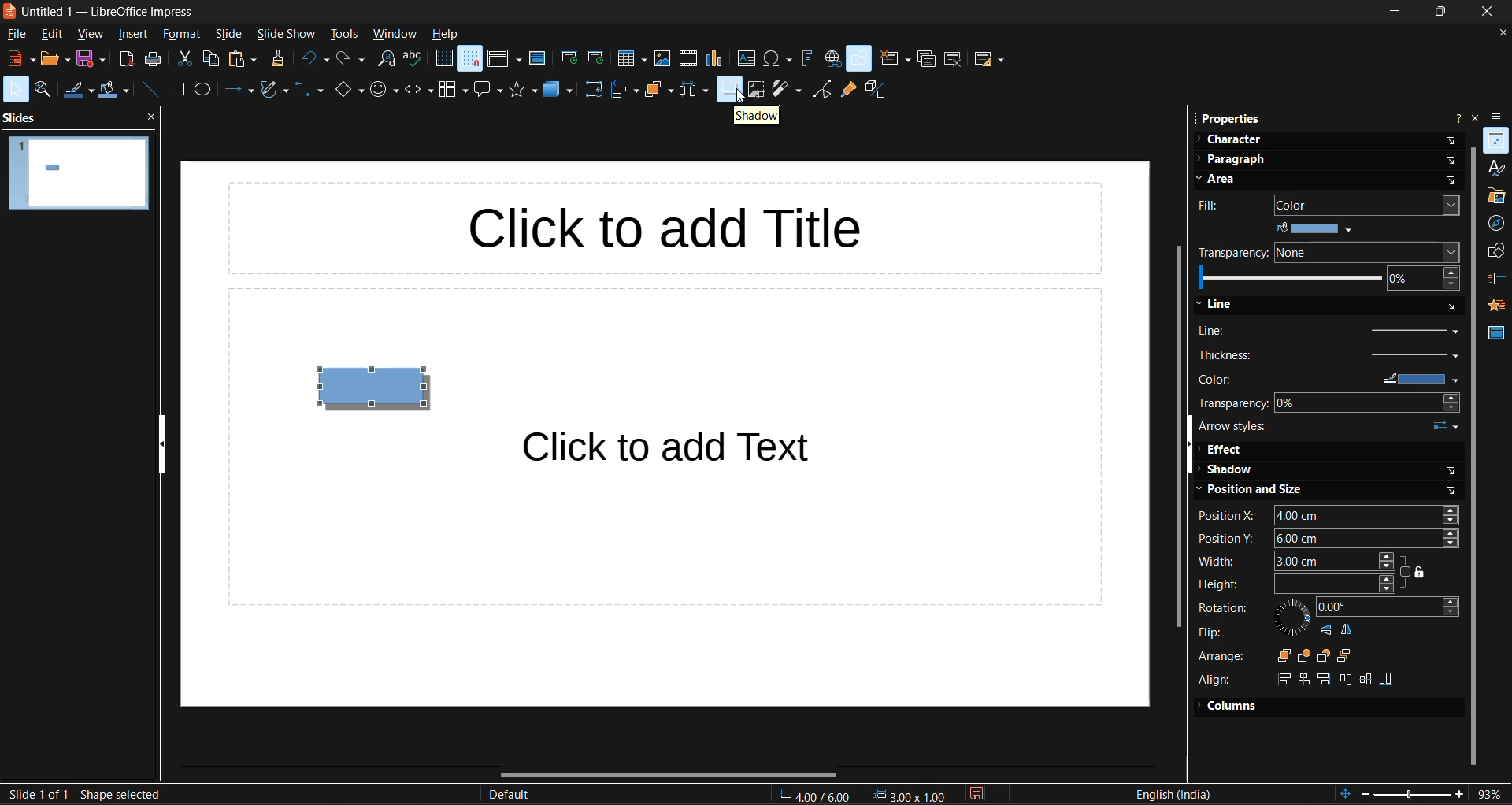 This screenshot has height=805, width=1512. I want to click on slide, so click(231, 35).